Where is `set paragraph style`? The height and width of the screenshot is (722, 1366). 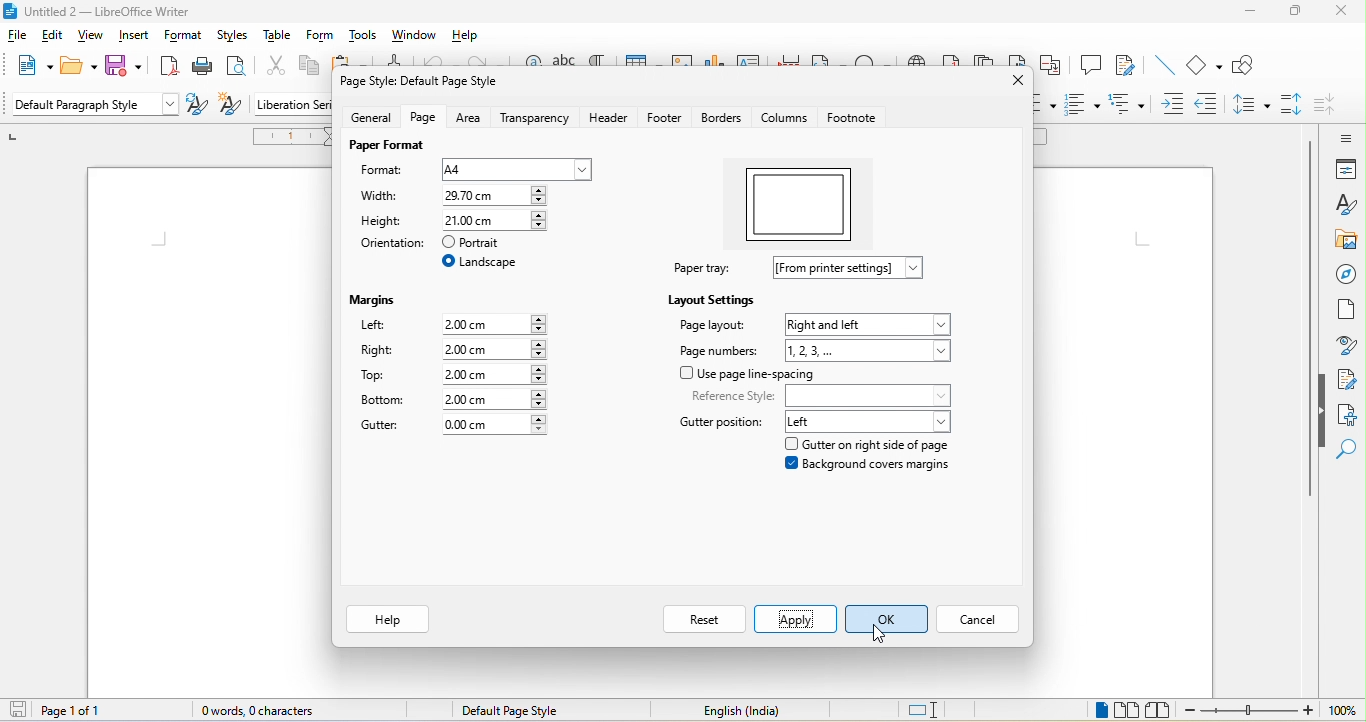
set paragraph style is located at coordinates (94, 106).